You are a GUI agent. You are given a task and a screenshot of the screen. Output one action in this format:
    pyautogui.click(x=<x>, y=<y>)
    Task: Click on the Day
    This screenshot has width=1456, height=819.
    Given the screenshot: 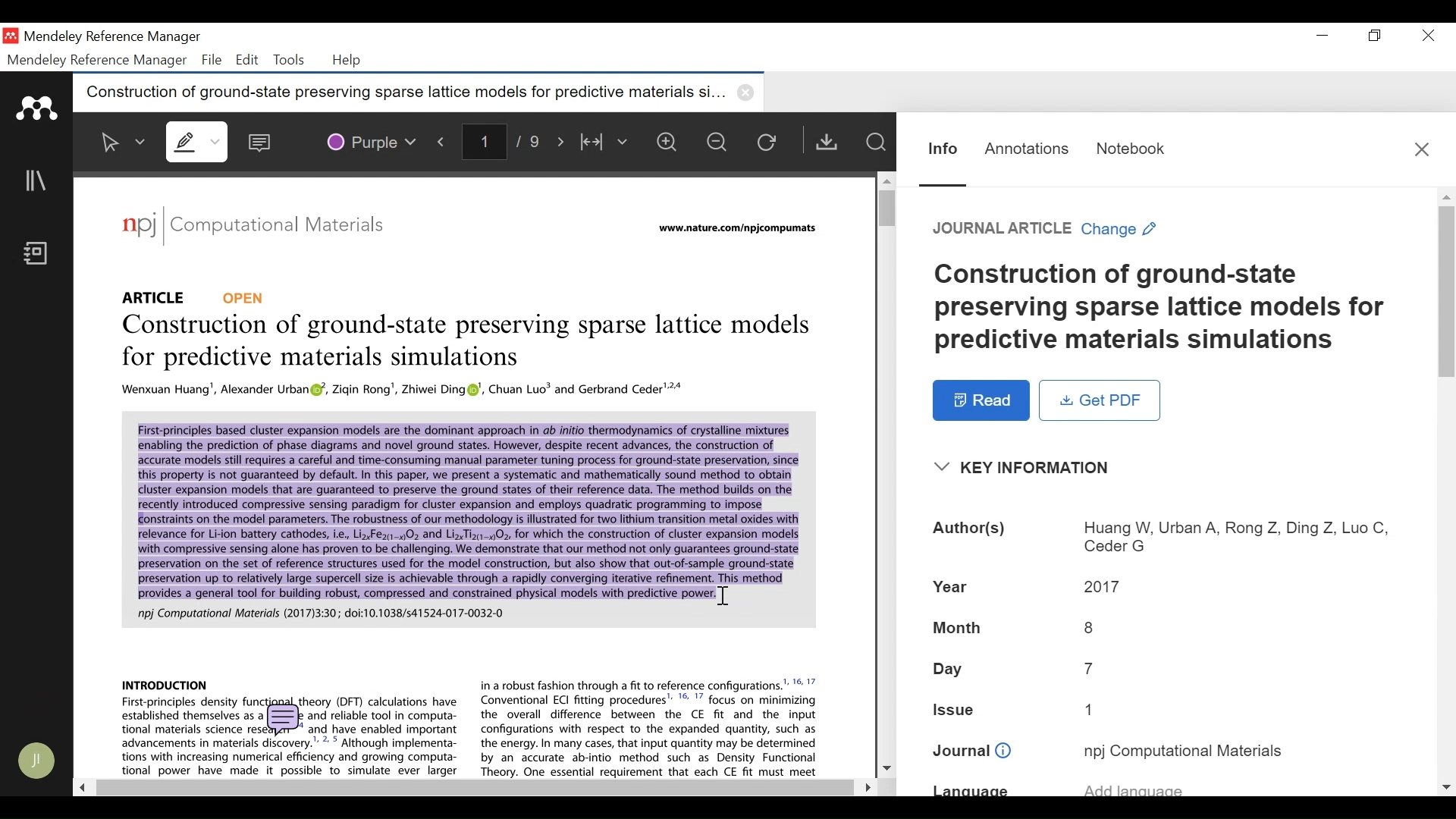 What is the action you would take?
    pyautogui.click(x=950, y=670)
    